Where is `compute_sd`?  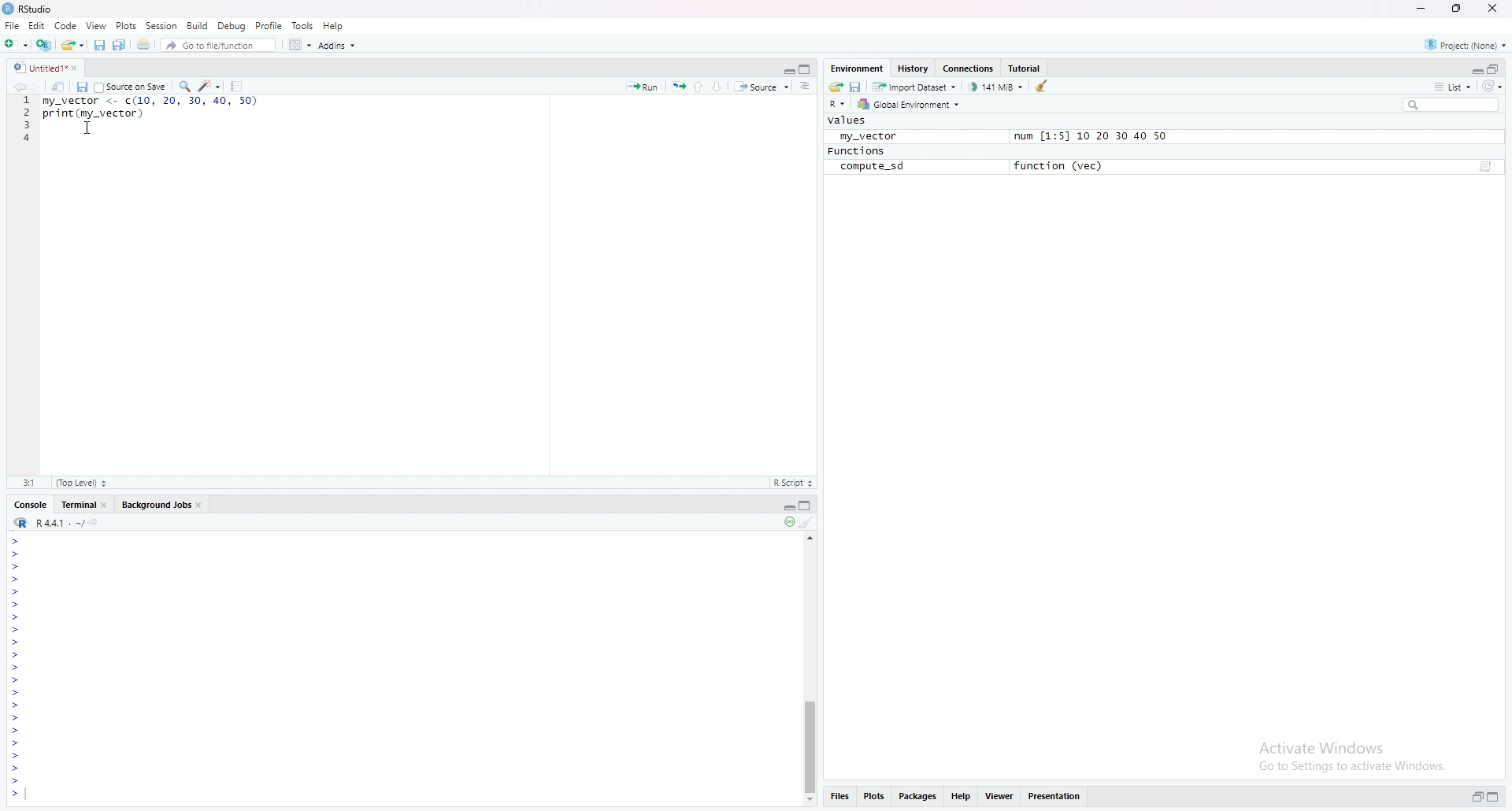 compute_sd is located at coordinates (872, 167).